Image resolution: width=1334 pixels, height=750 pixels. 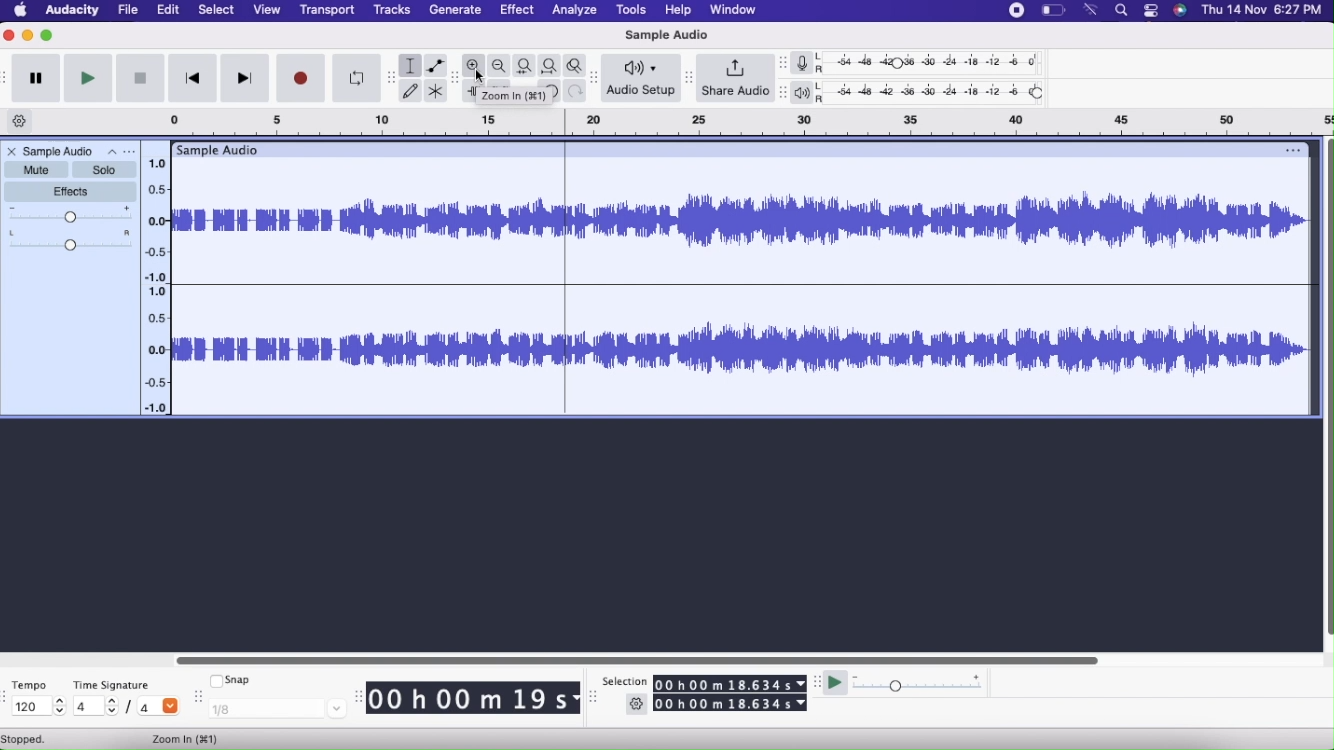 What do you see at coordinates (95, 707) in the screenshot?
I see `4` at bounding box center [95, 707].